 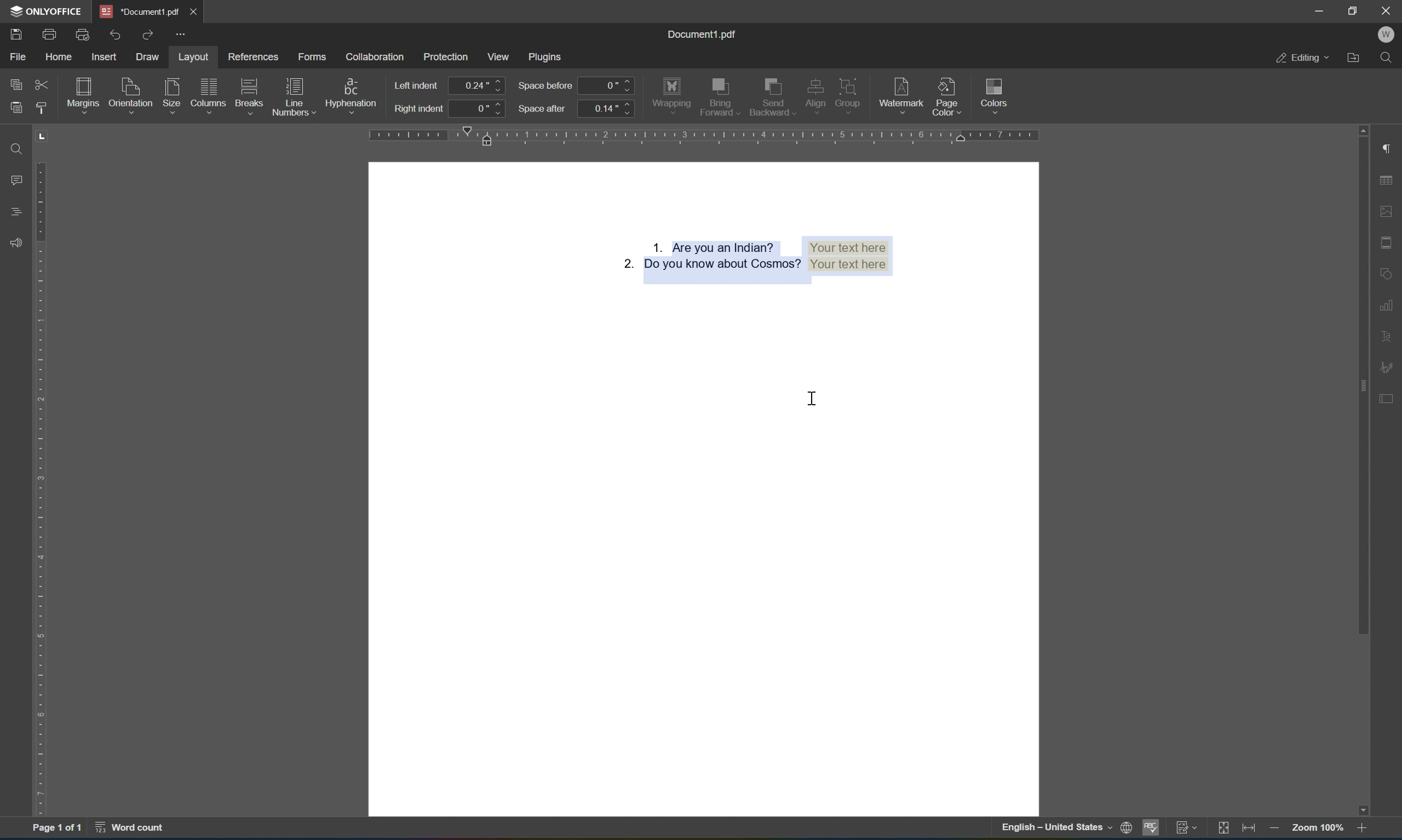 I want to click on header & footer settings, so click(x=1389, y=243).